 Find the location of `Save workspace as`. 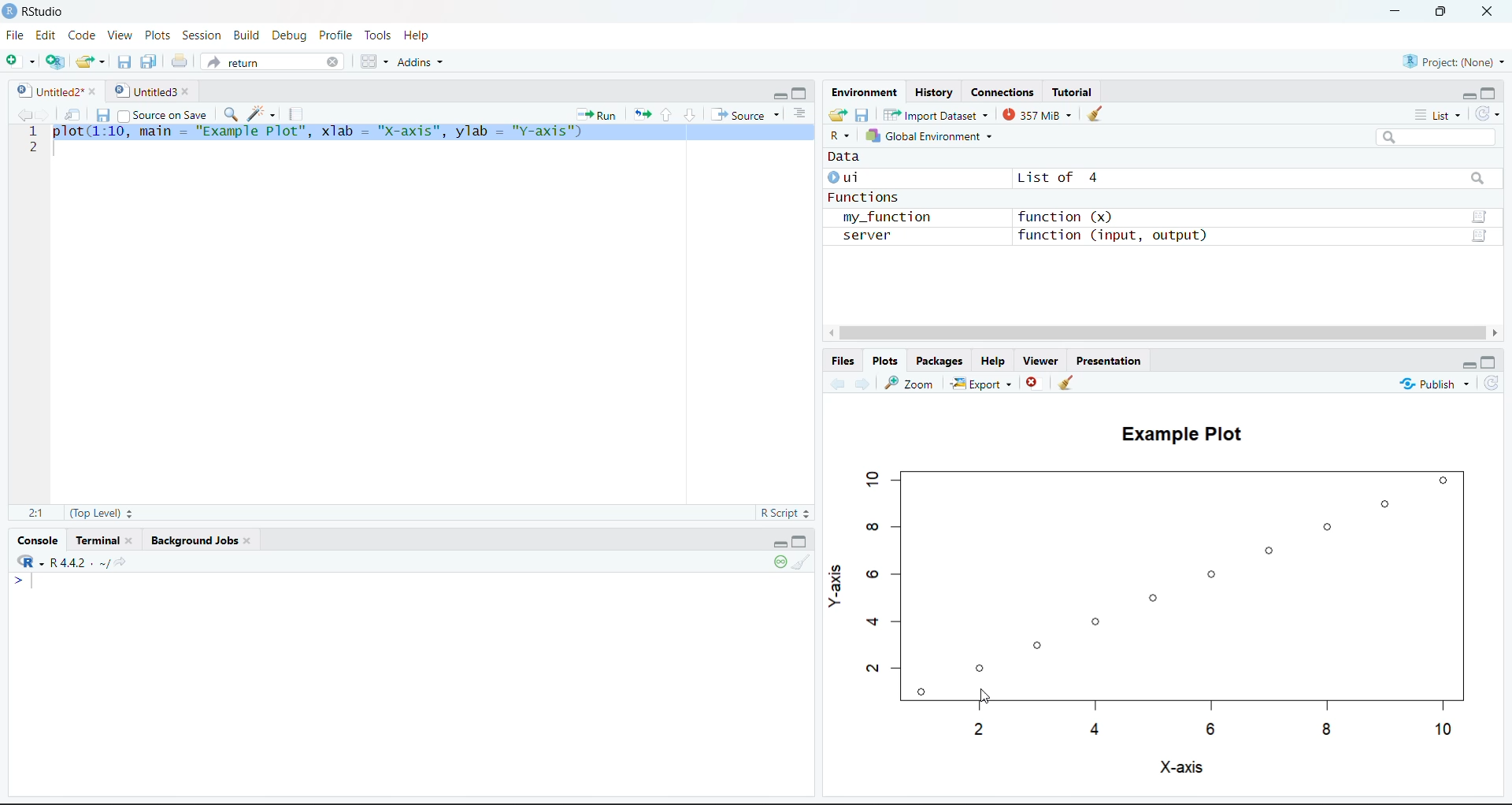

Save workspace as is located at coordinates (862, 114).